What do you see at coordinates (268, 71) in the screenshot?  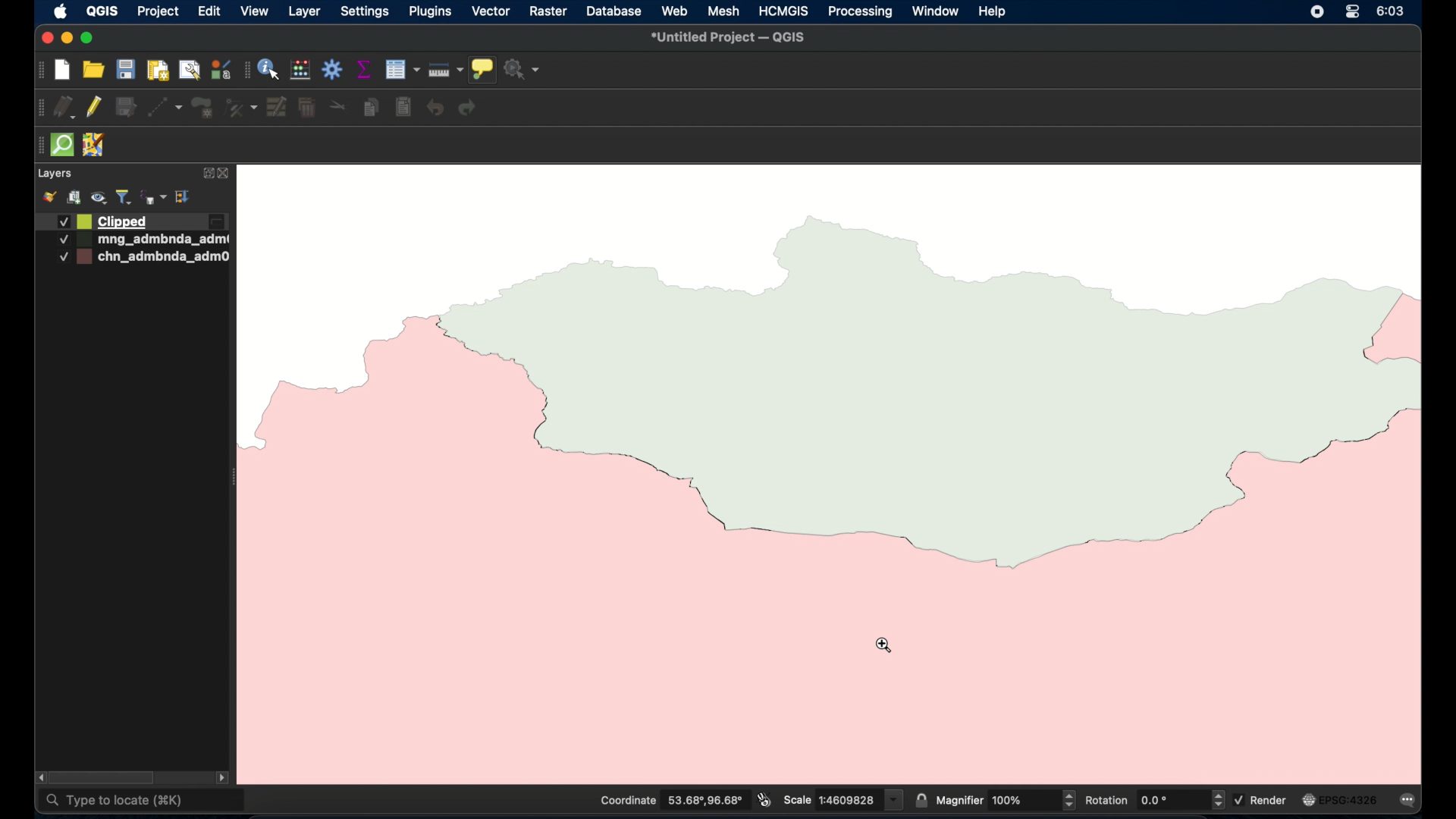 I see `` at bounding box center [268, 71].